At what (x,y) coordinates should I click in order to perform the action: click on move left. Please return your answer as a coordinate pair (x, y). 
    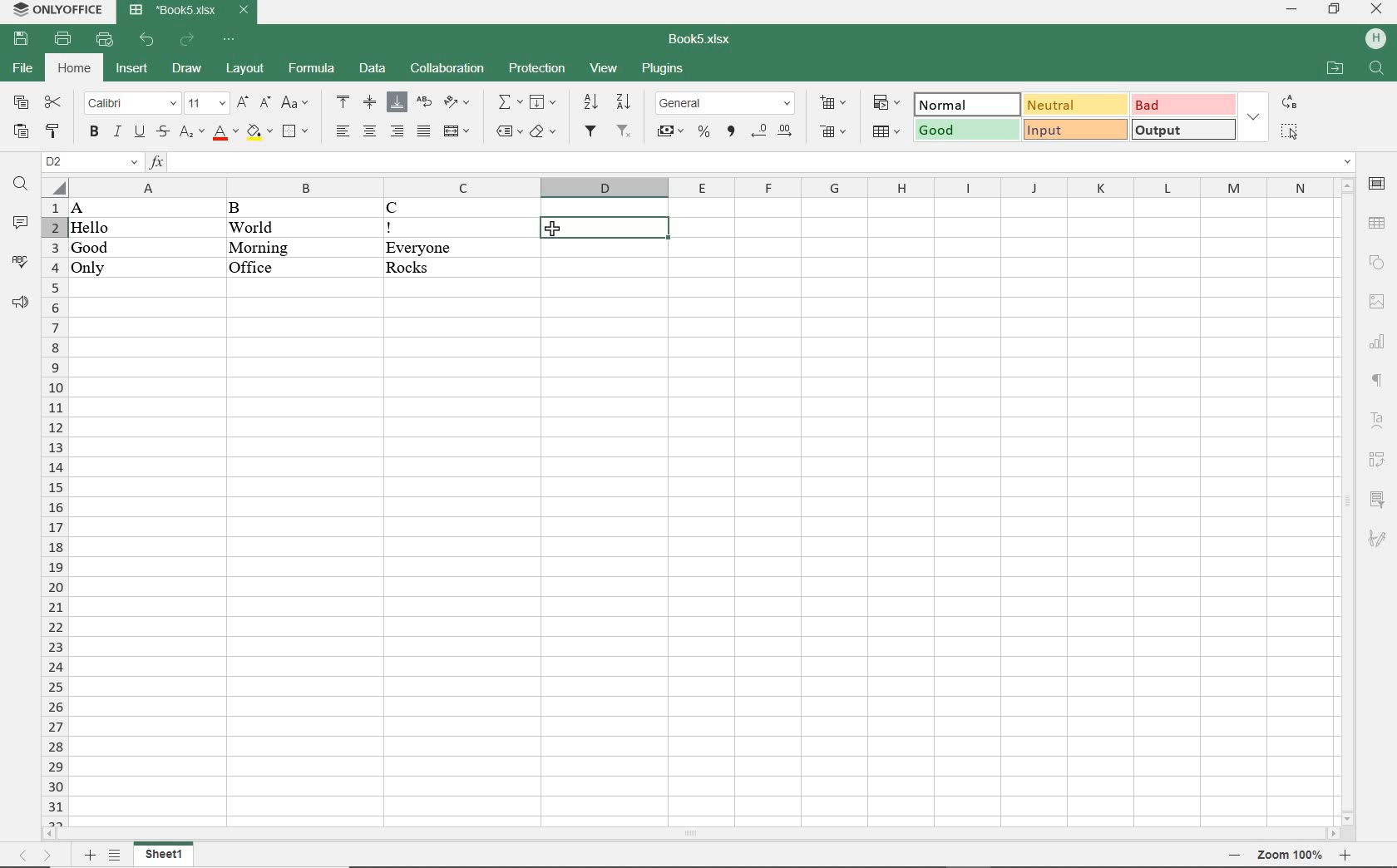
    Looking at the image, I should click on (52, 832).